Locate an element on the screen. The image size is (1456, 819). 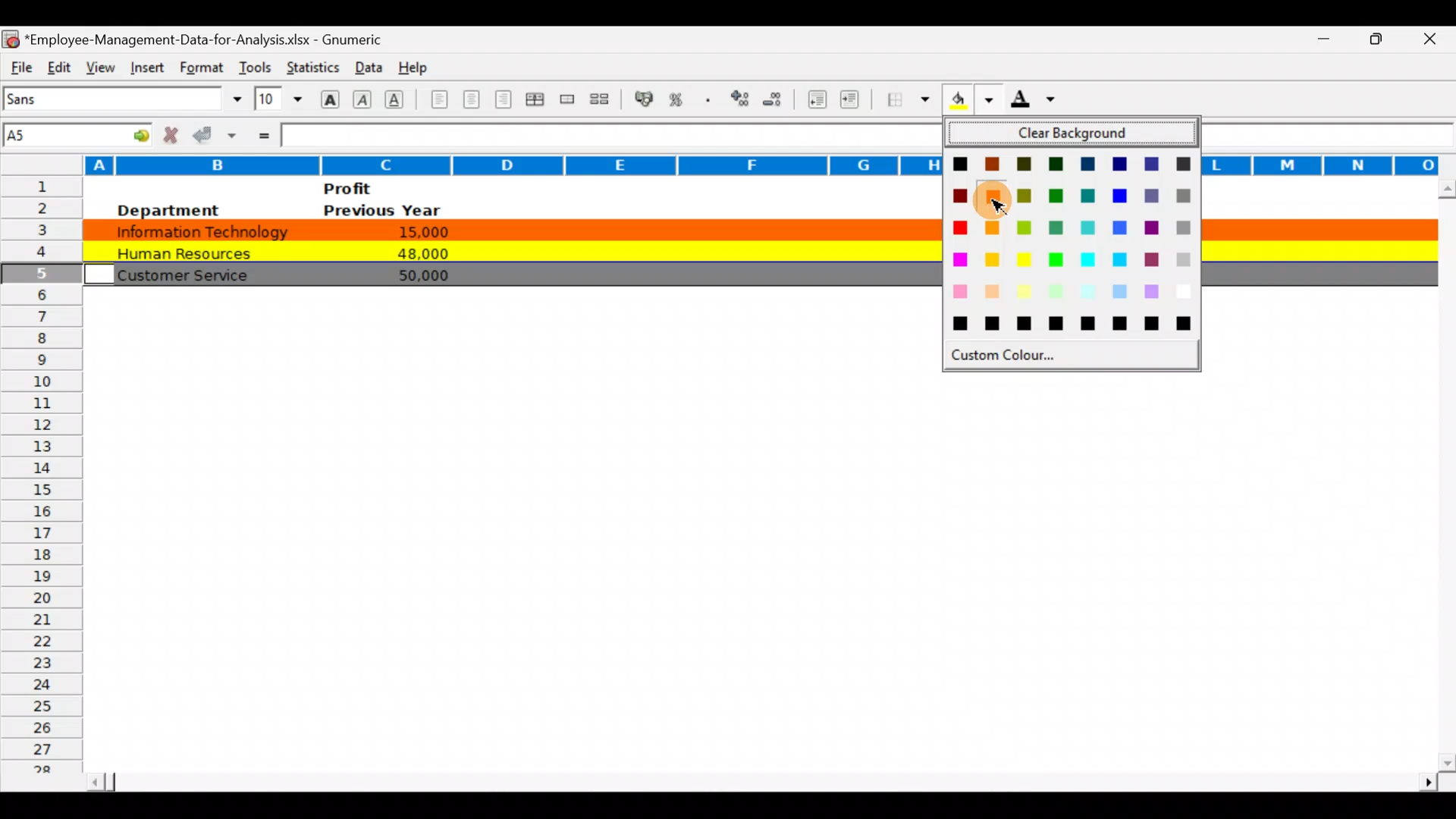
Include a thousands operator is located at coordinates (711, 101).